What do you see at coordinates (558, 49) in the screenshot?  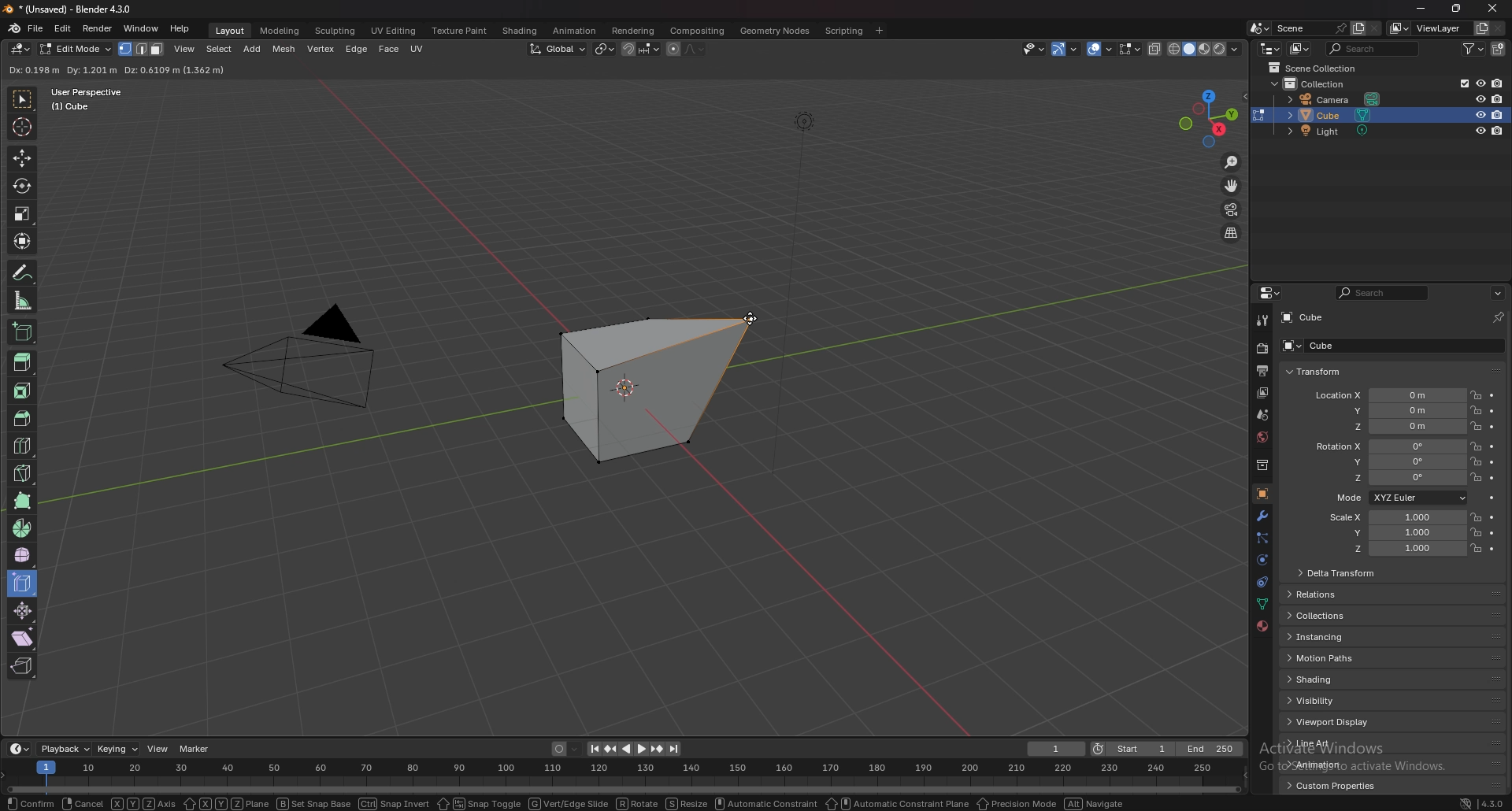 I see `transformation orientation` at bounding box center [558, 49].